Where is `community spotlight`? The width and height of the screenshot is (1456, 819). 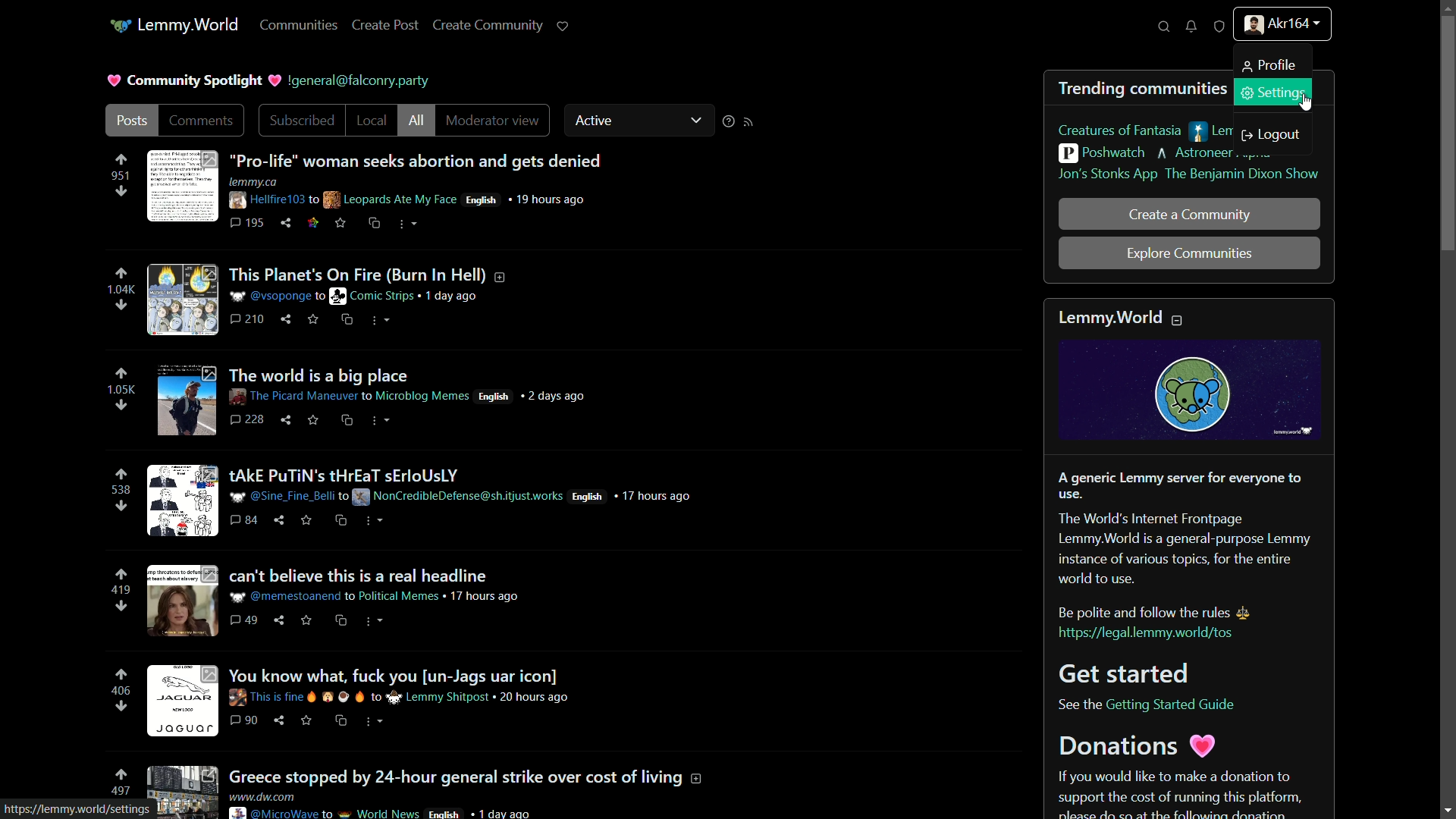 community spotlight is located at coordinates (196, 80).